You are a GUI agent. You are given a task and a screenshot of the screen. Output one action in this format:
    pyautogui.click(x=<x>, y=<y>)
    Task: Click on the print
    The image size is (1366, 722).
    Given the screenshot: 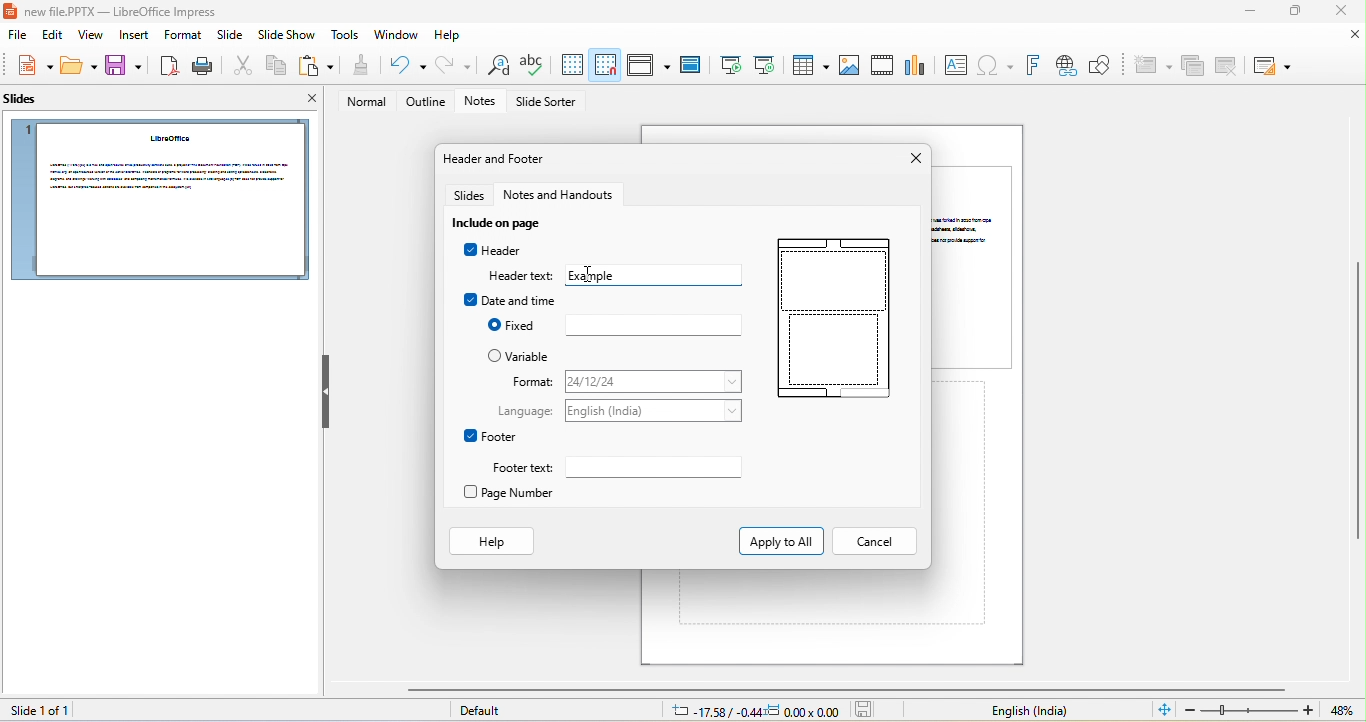 What is the action you would take?
    pyautogui.click(x=201, y=66)
    